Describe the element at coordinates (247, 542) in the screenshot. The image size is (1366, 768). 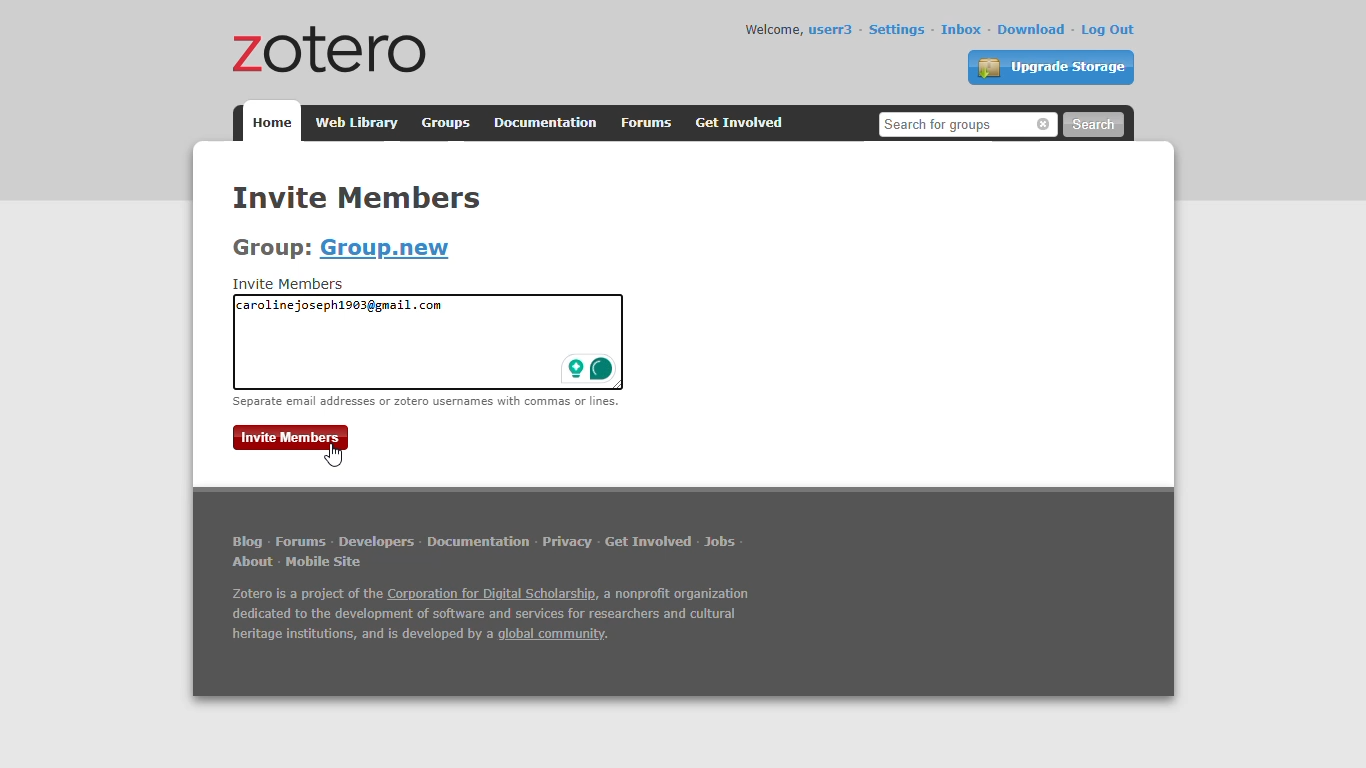
I see `blog` at that location.